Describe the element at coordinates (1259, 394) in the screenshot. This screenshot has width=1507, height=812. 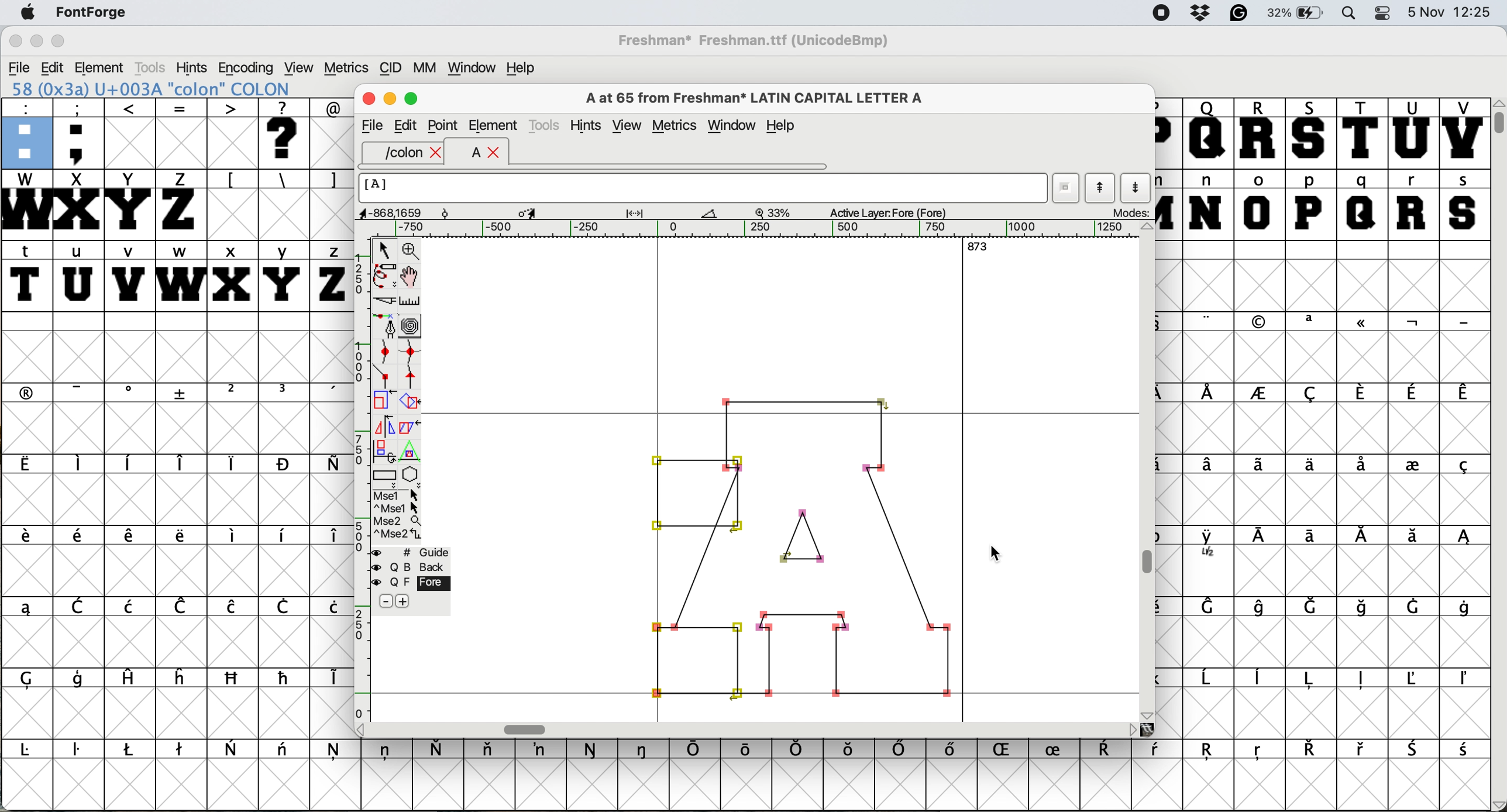
I see `symbol` at that location.